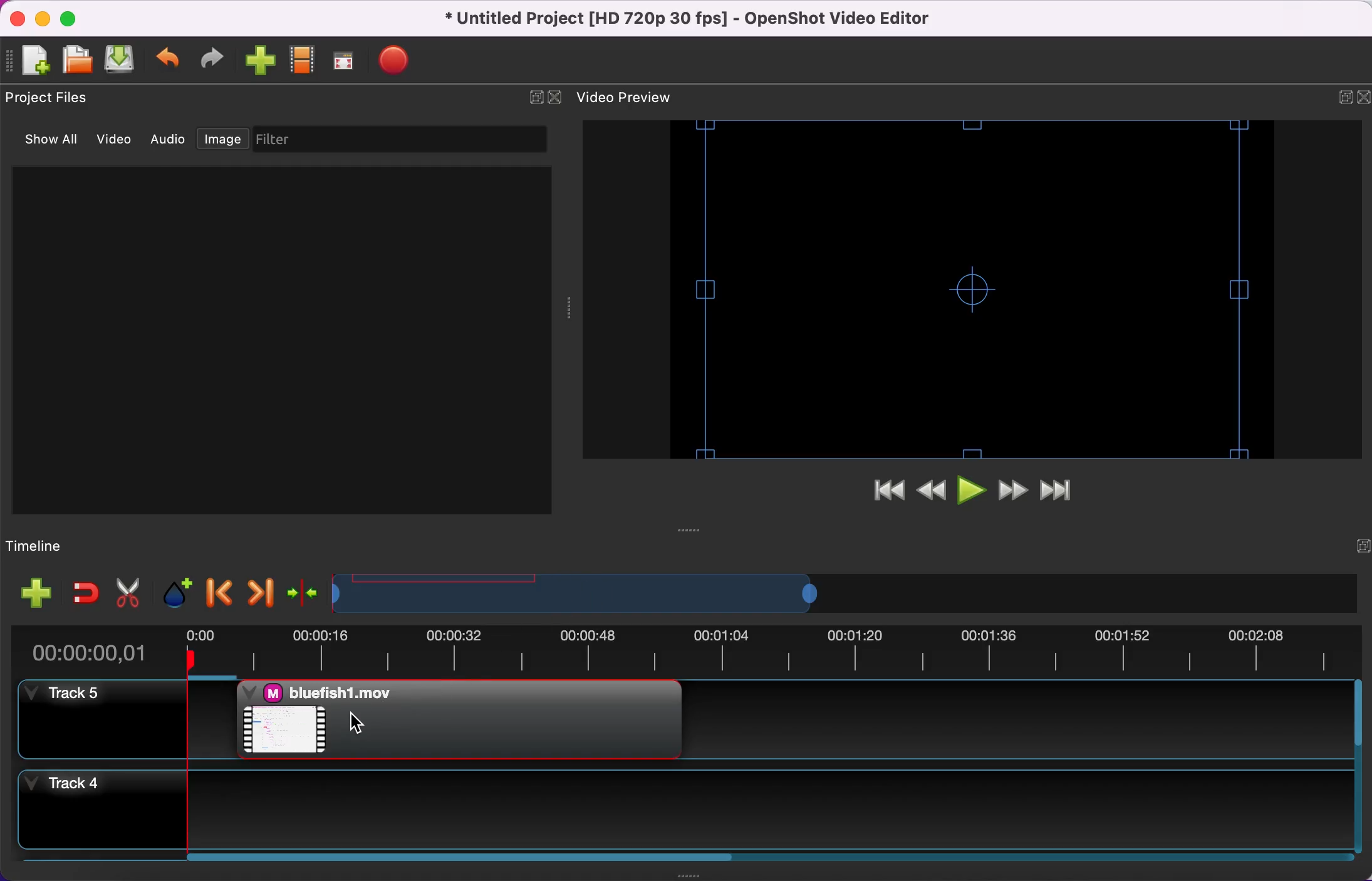 Image resolution: width=1372 pixels, height=881 pixels. What do you see at coordinates (262, 62) in the screenshot?
I see `import file` at bounding box center [262, 62].